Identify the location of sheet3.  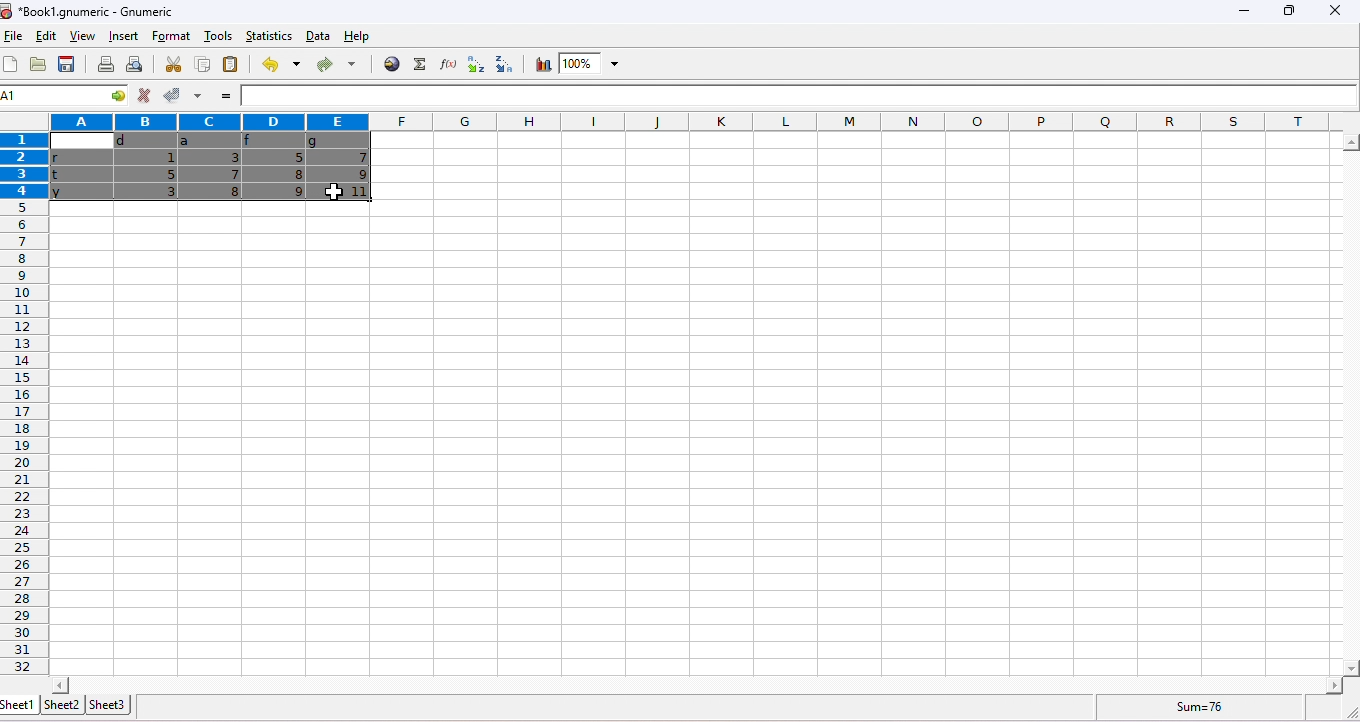
(107, 704).